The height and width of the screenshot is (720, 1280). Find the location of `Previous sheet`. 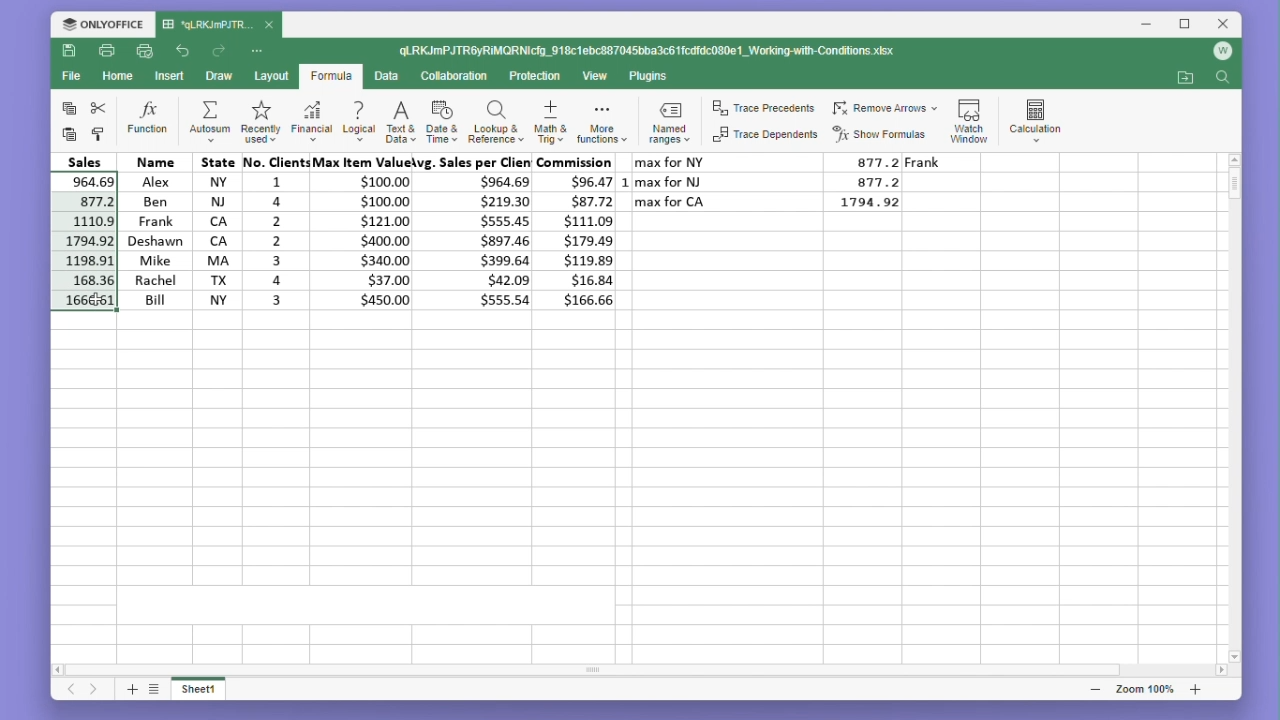

Previous sheet is located at coordinates (64, 693).